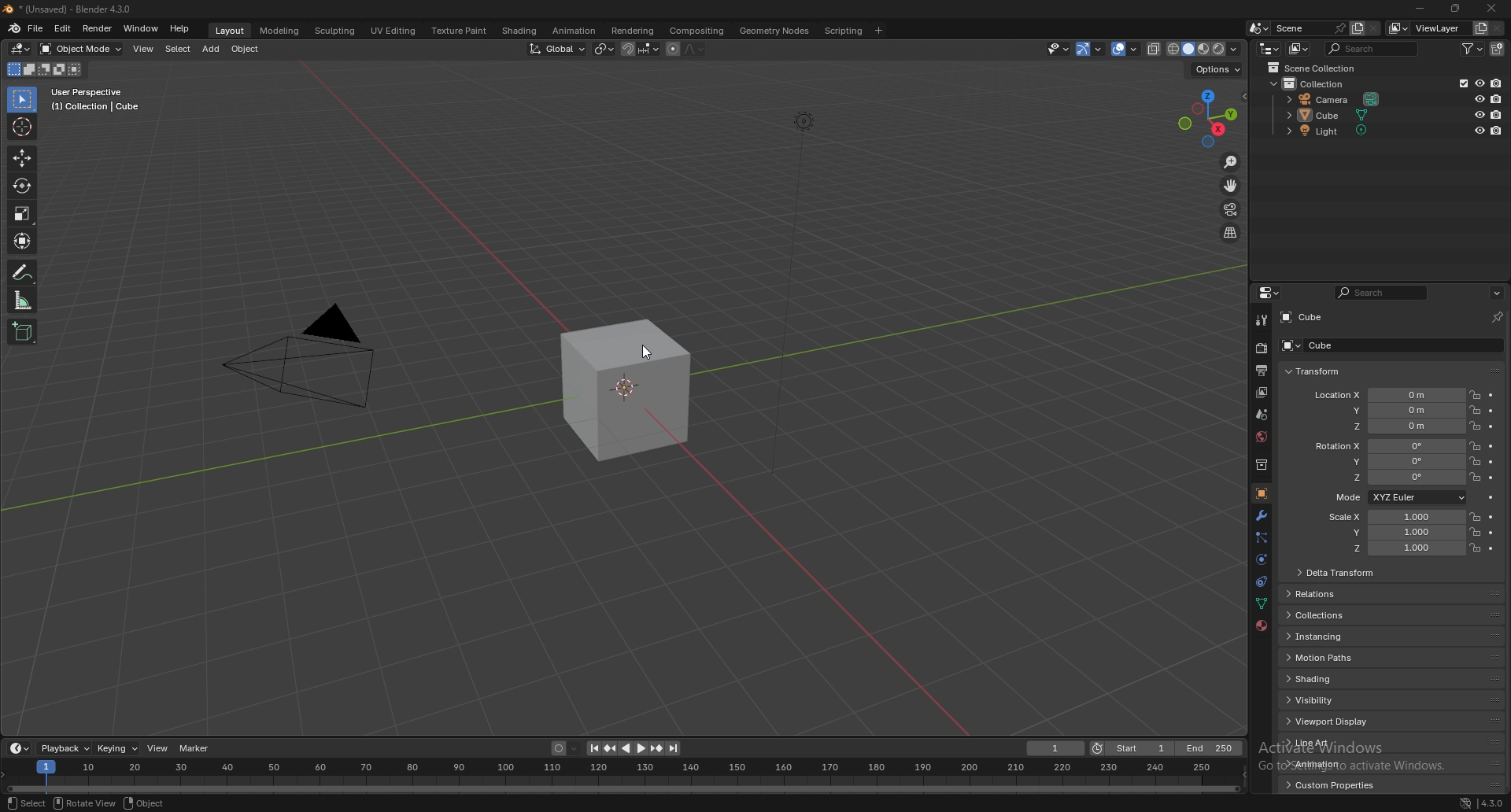 Image resolution: width=1511 pixels, height=812 pixels. Describe the element at coordinates (66, 749) in the screenshot. I see `playback` at that location.